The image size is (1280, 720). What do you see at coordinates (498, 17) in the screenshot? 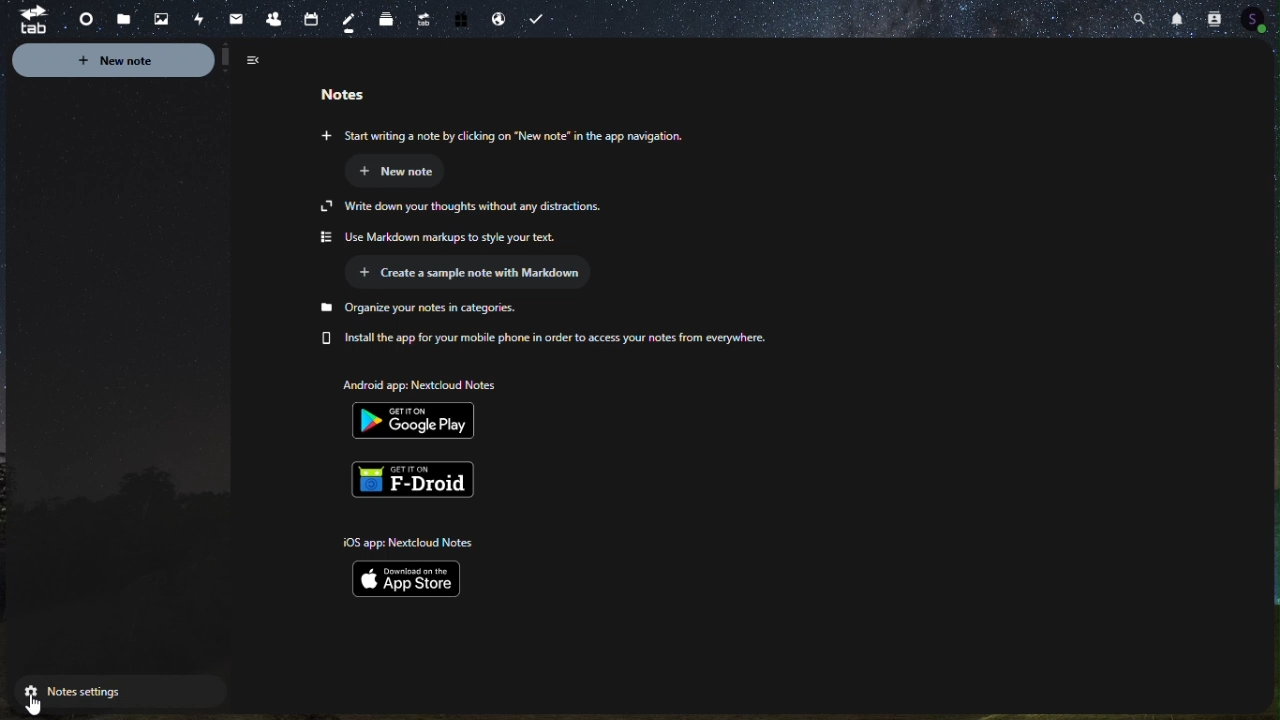
I see `Email handling` at bounding box center [498, 17].